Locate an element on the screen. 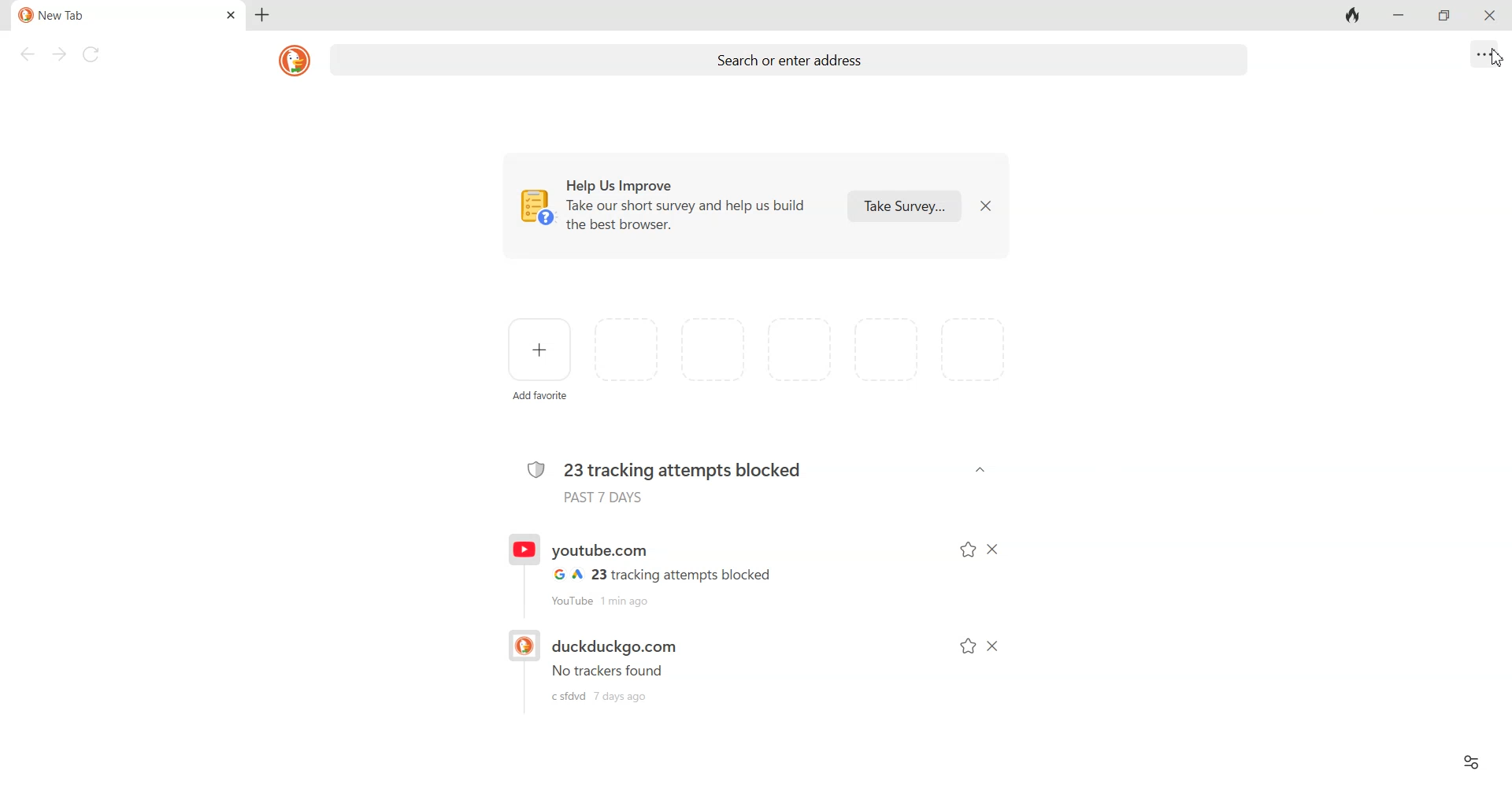  add favorite is located at coordinates (543, 398).